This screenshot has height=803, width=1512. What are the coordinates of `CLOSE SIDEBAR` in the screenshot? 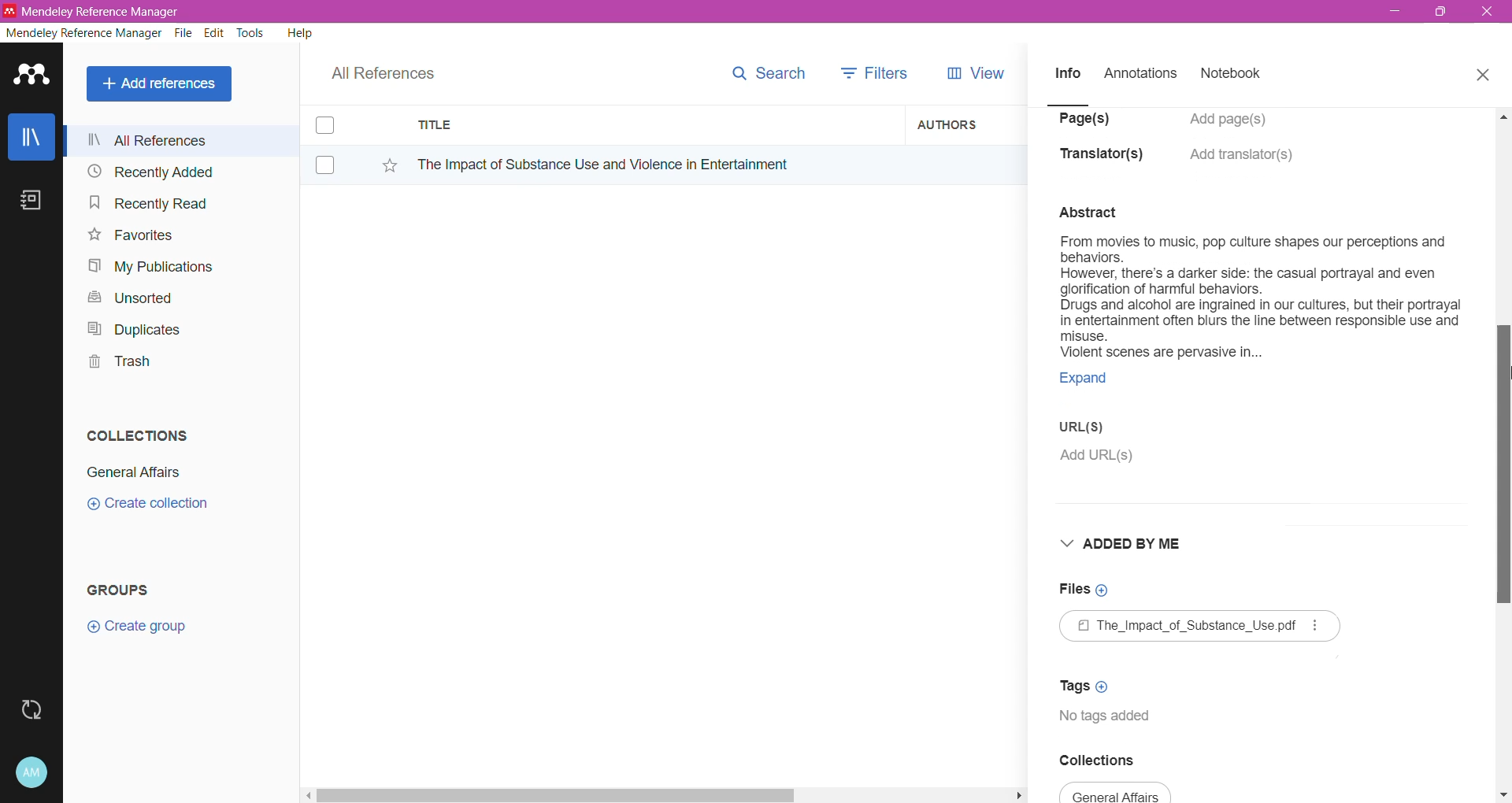 It's located at (1484, 75).